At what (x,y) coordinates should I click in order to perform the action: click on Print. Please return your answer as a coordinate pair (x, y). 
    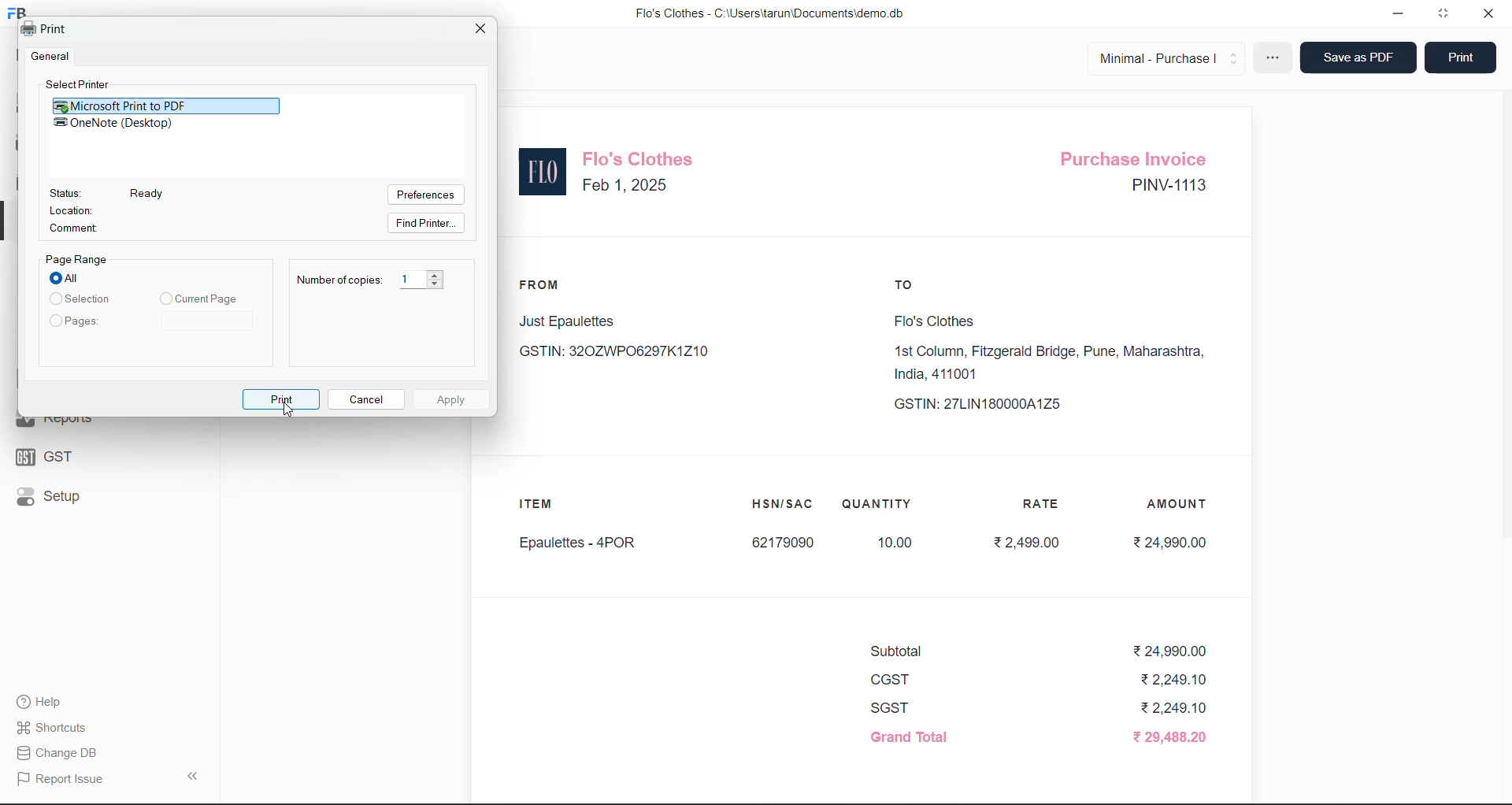
    Looking at the image, I should click on (1460, 54).